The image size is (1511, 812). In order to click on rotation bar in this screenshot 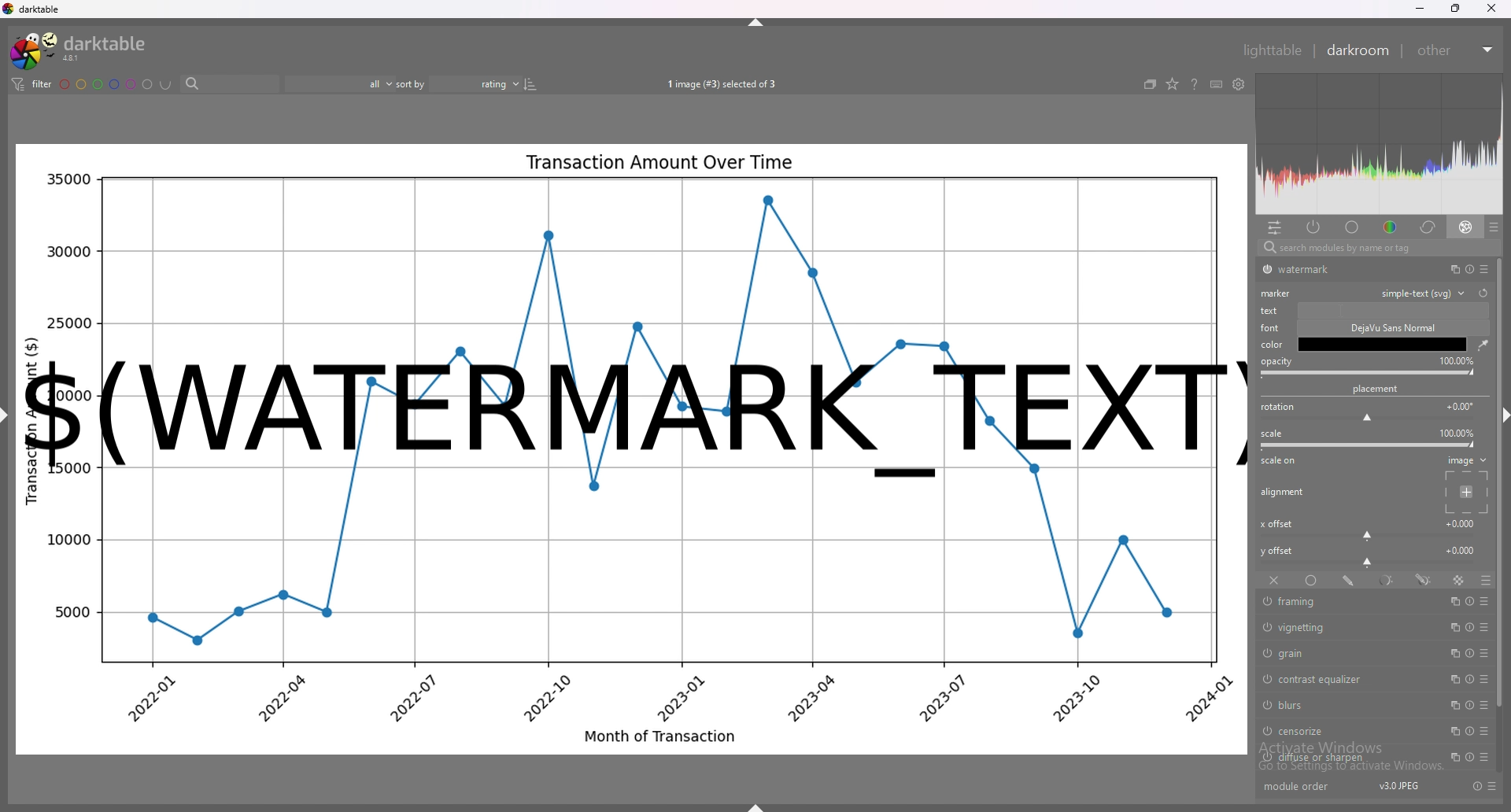, I will do `click(1366, 419)`.